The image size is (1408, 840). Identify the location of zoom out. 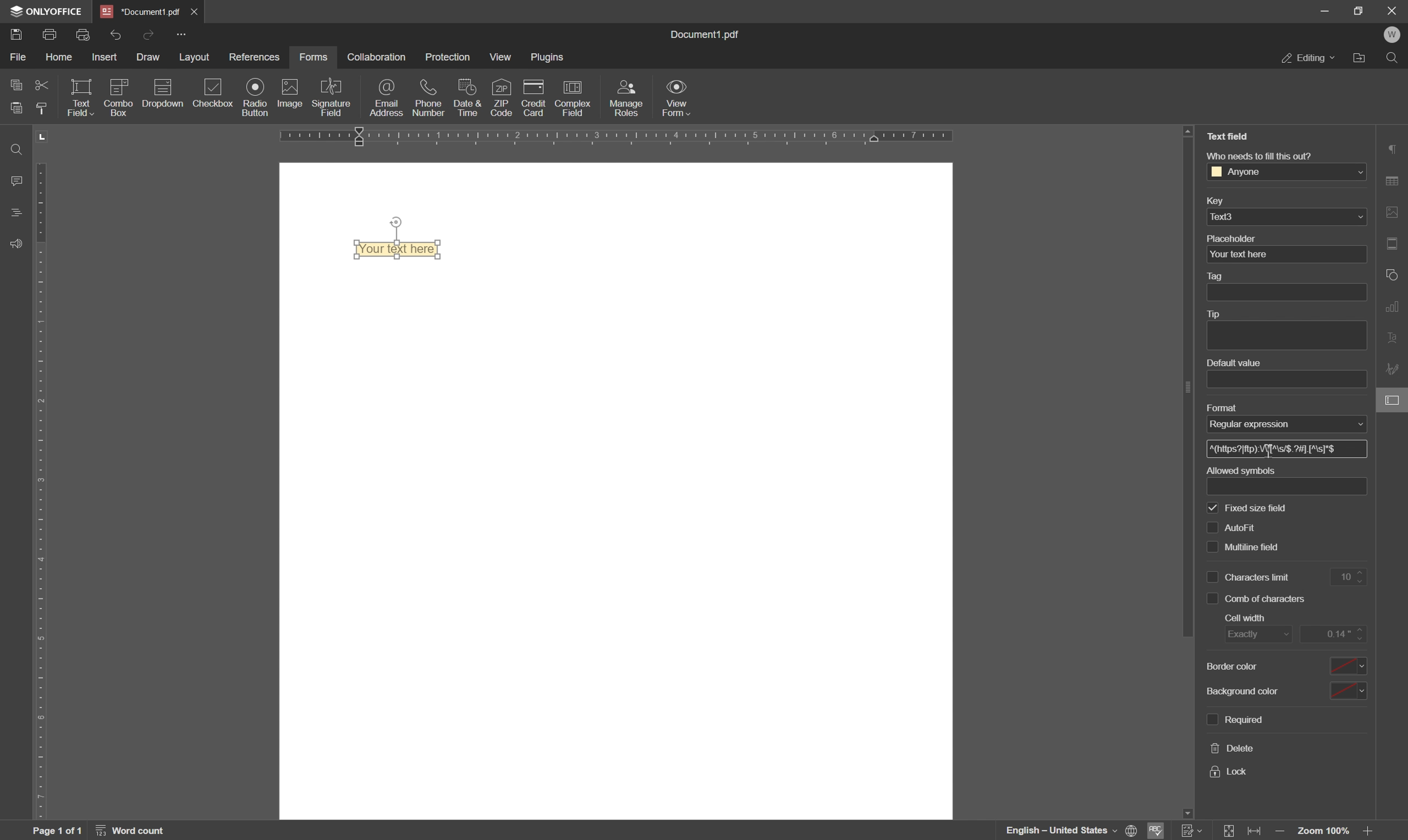
(1281, 832).